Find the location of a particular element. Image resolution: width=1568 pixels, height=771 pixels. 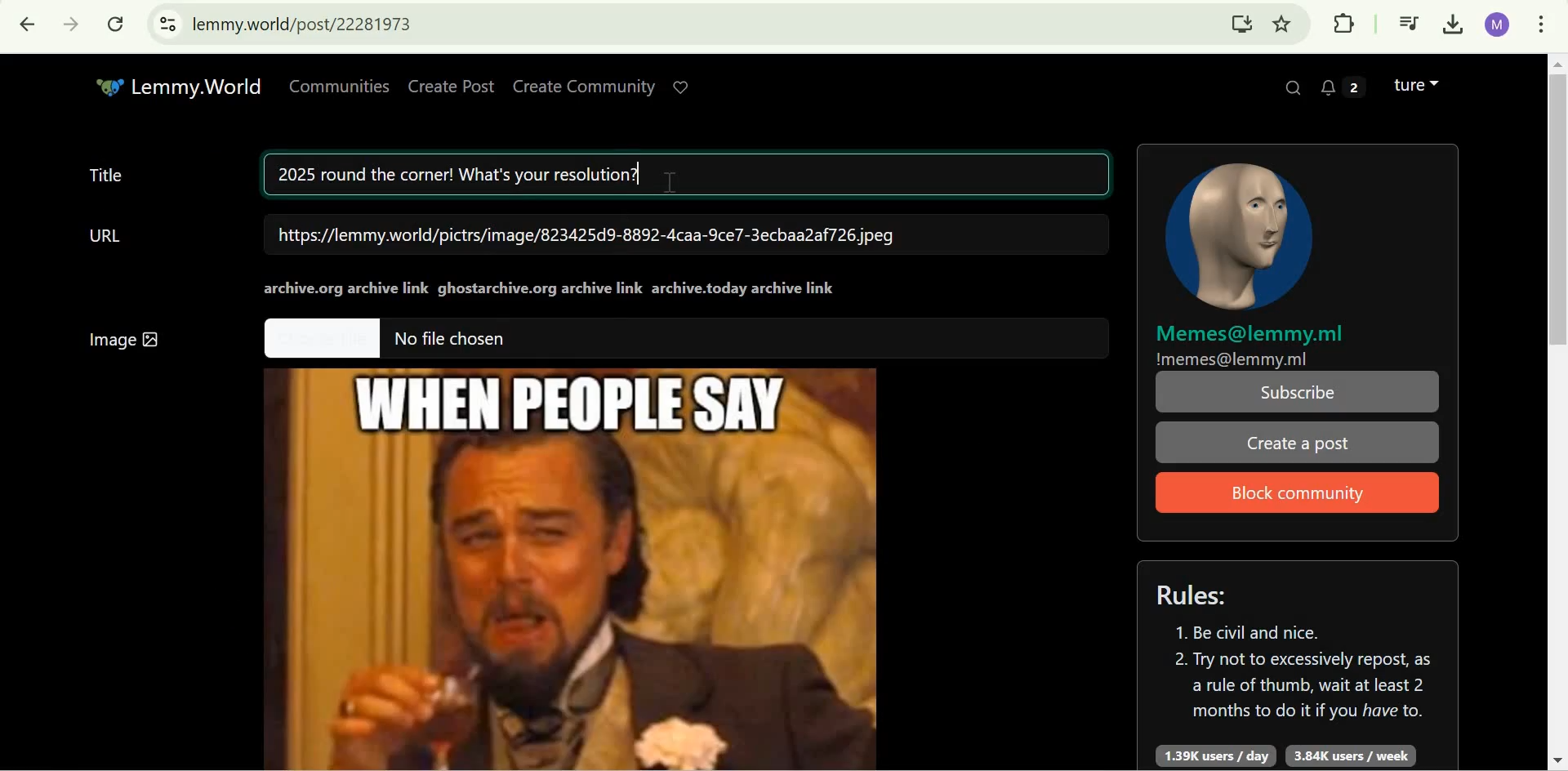

No file chosen is located at coordinates (453, 339).